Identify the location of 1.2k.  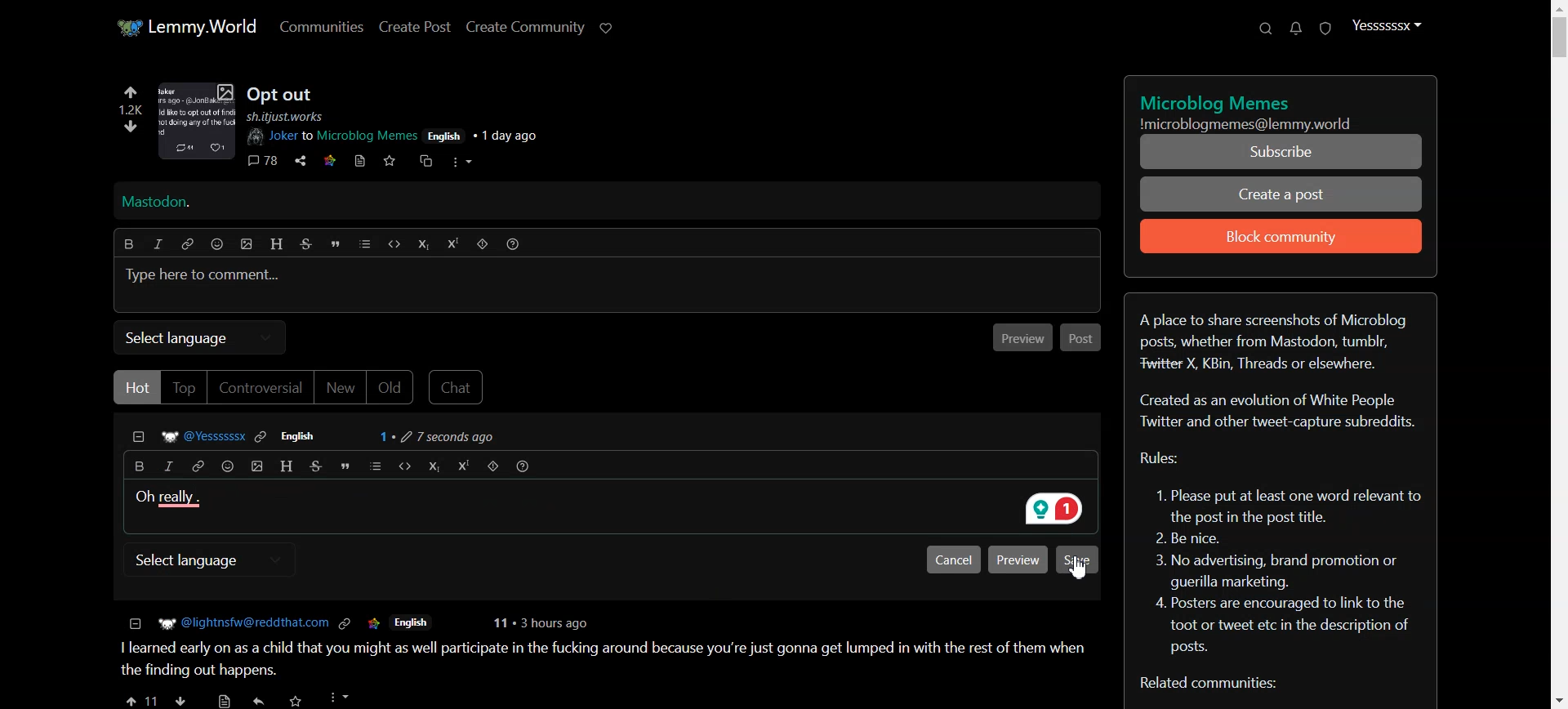
(131, 109).